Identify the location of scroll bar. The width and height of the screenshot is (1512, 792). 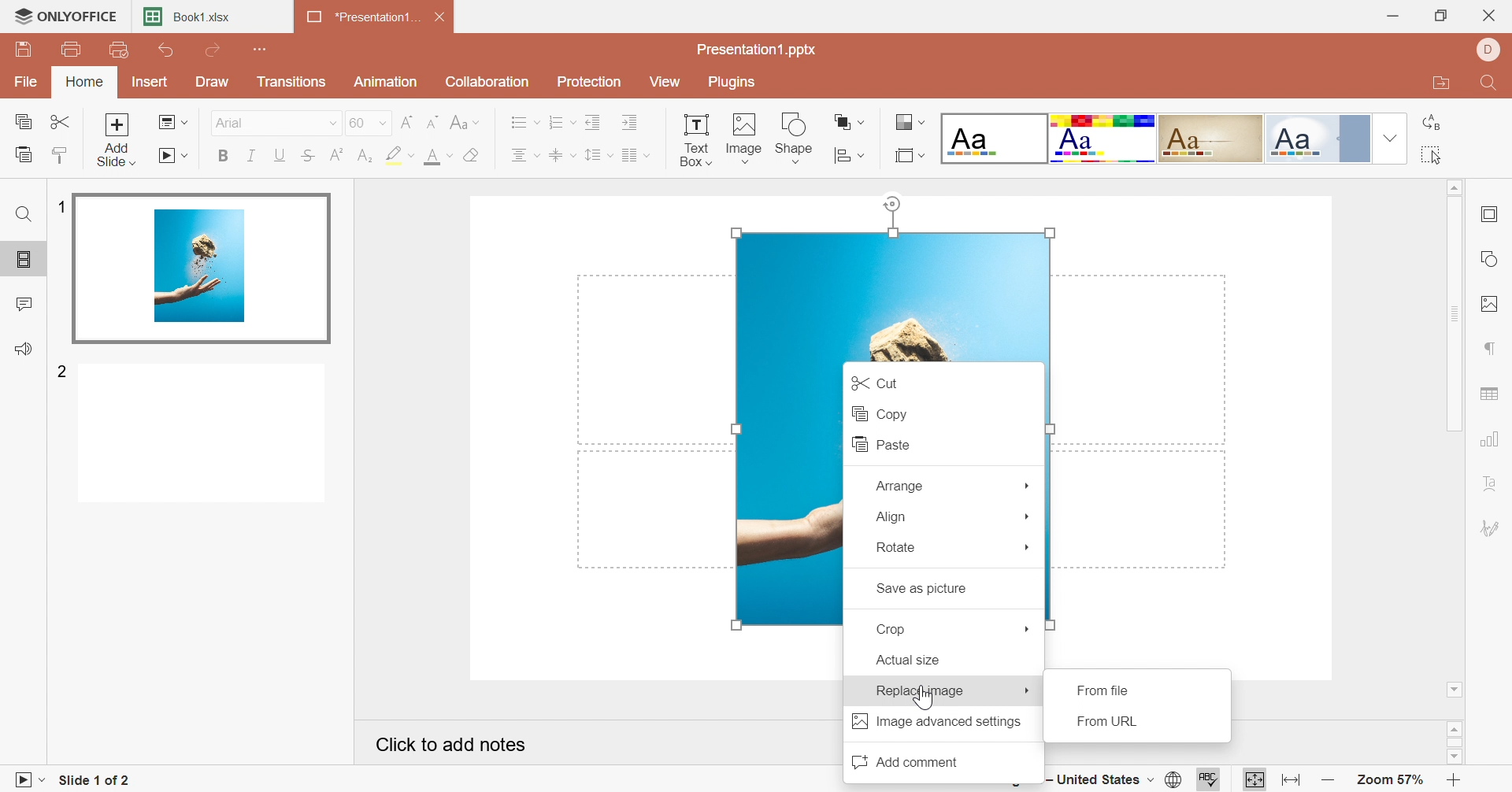
(1455, 742).